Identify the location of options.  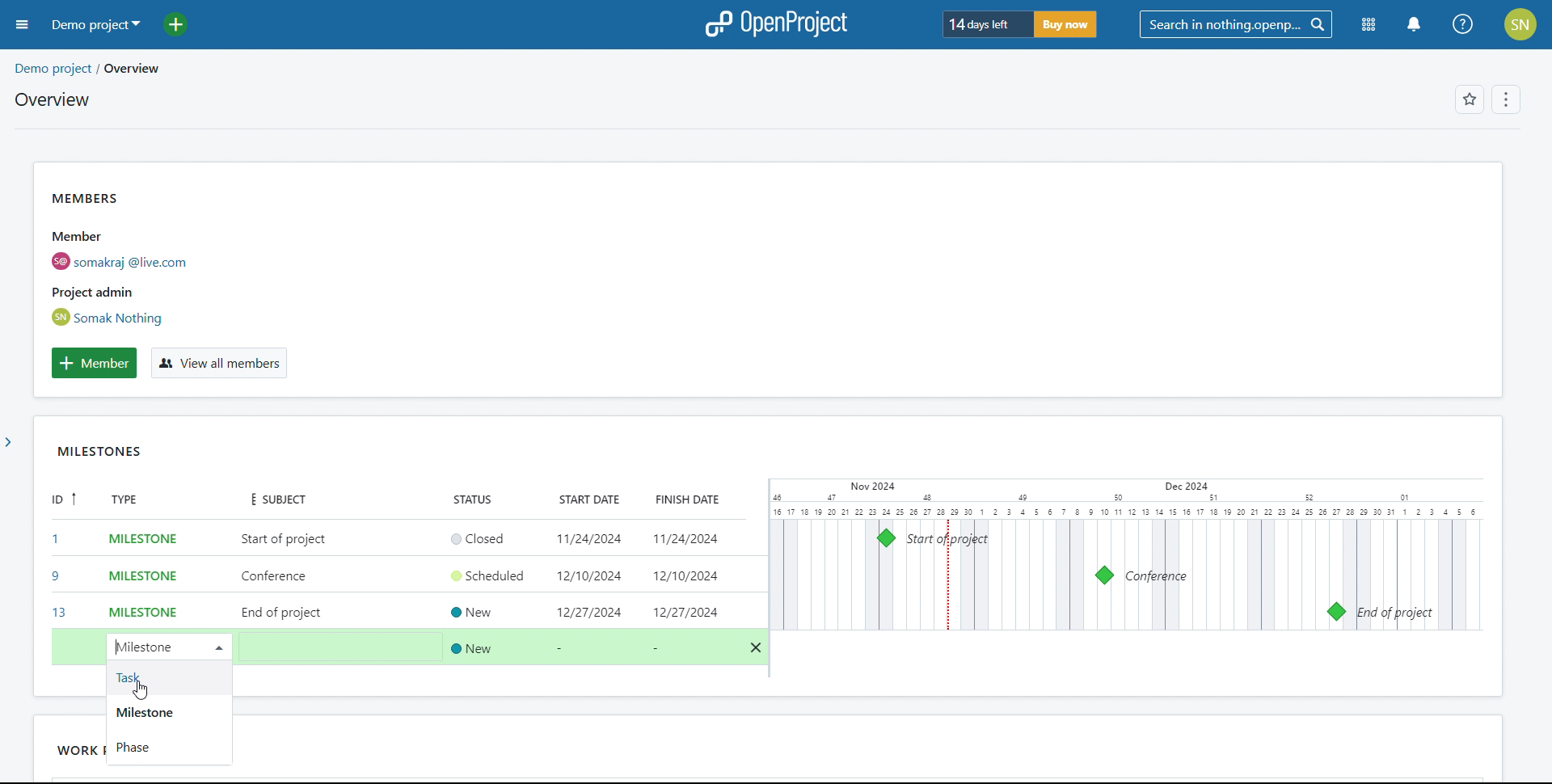
(1503, 101).